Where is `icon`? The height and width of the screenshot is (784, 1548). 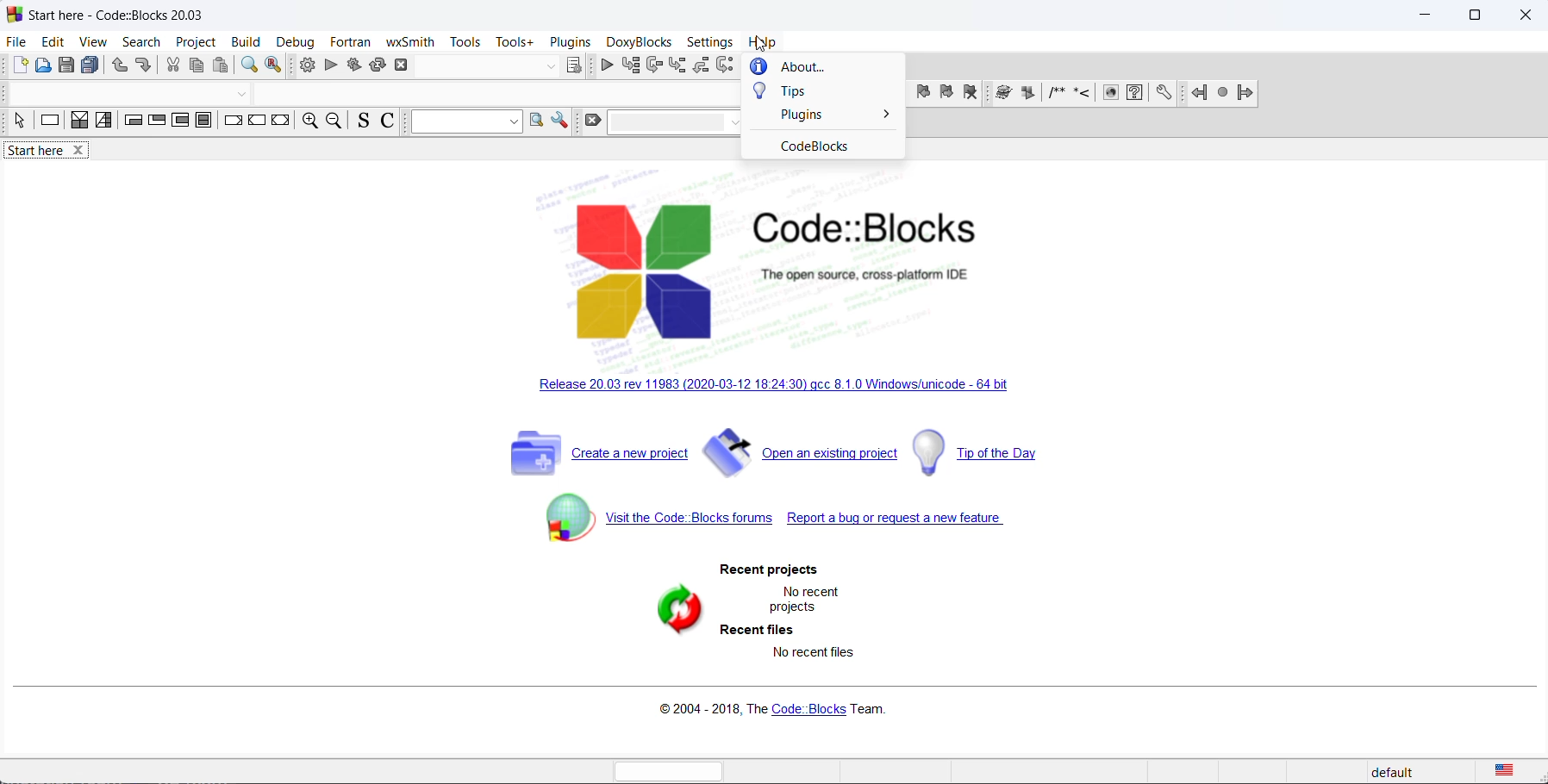
icon is located at coordinates (1085, 94).